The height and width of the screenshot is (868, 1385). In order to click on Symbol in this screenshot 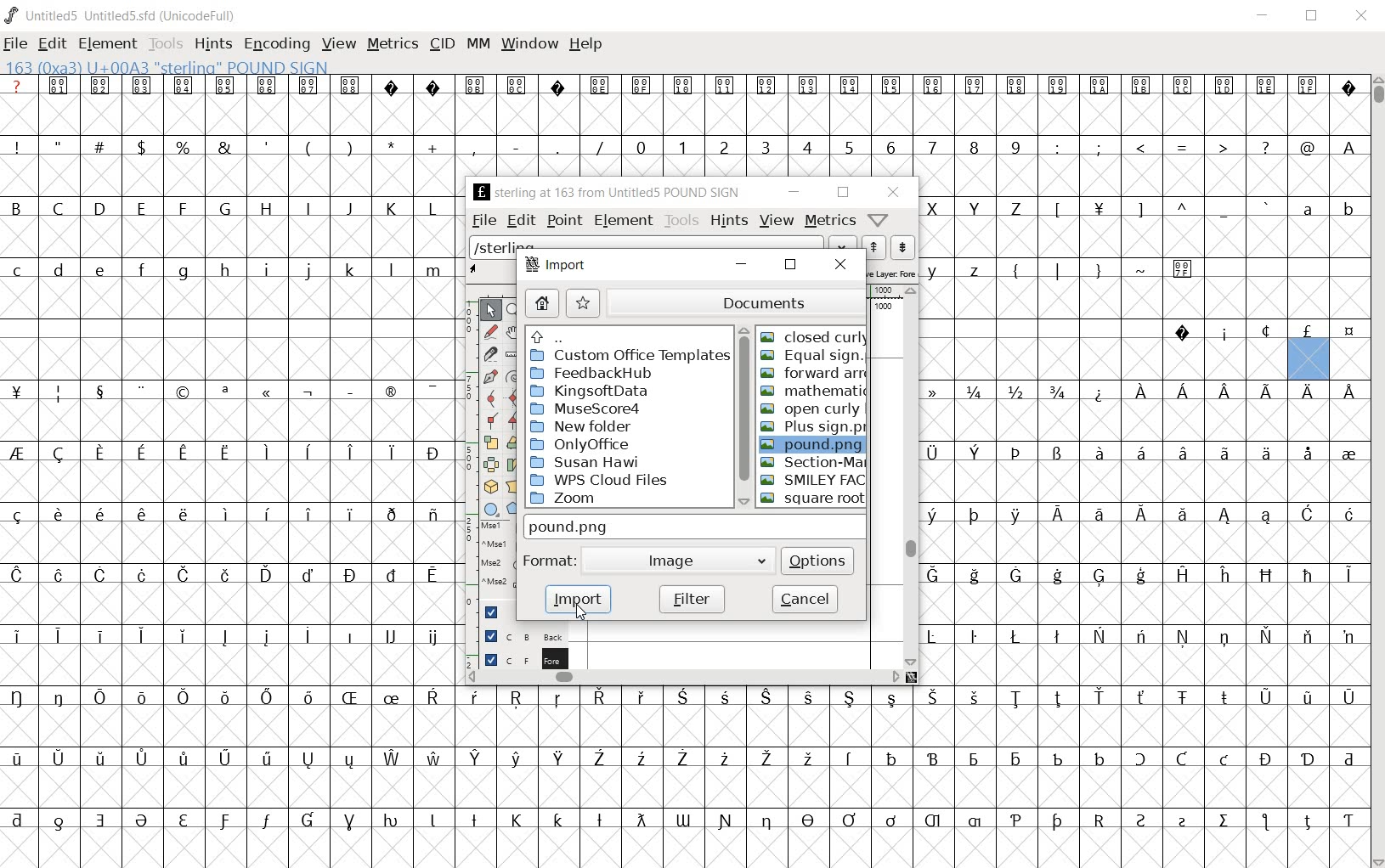, I will do `click(1184, 637)`.